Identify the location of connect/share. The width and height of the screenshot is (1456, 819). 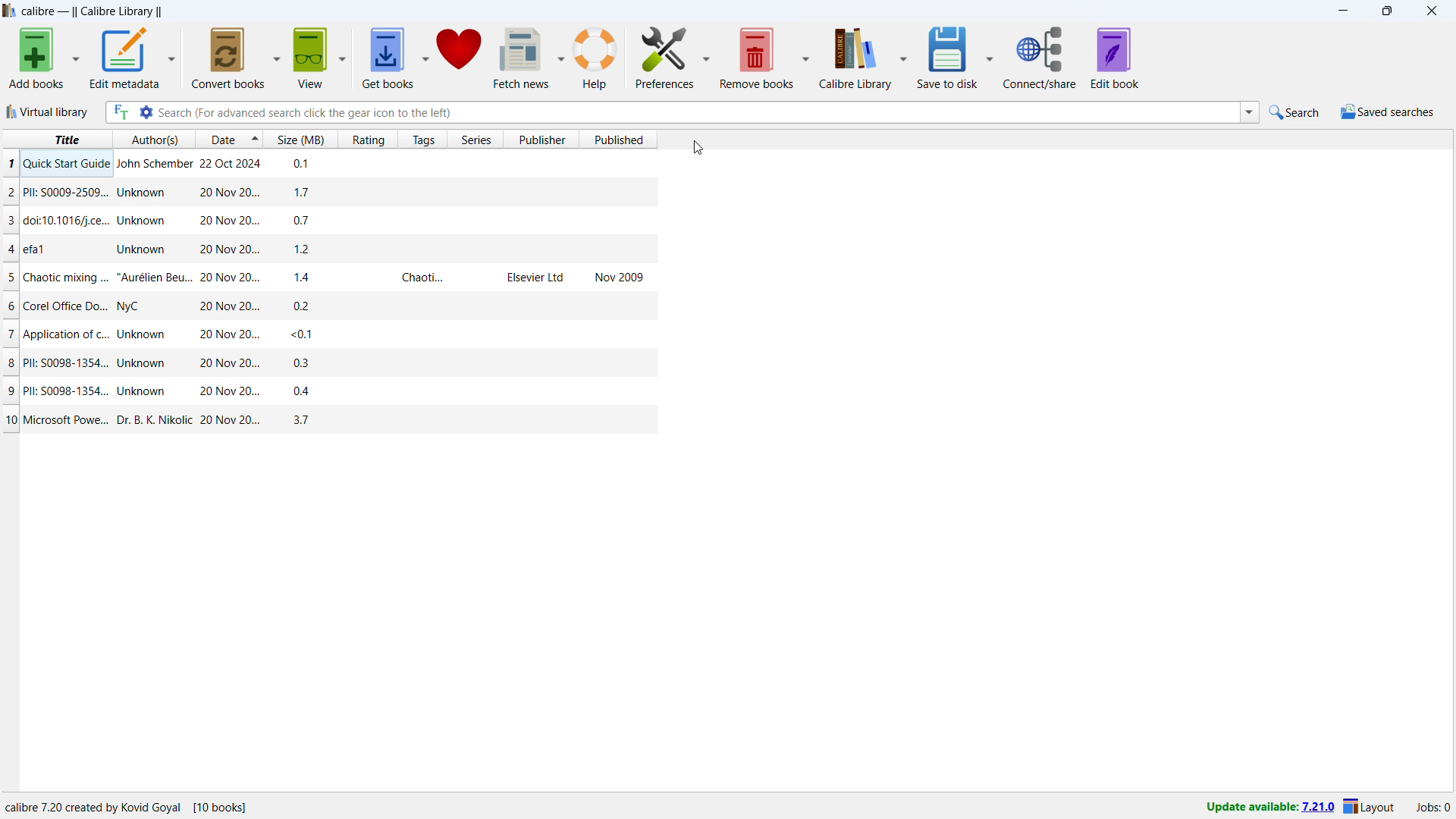
(1040, 58).